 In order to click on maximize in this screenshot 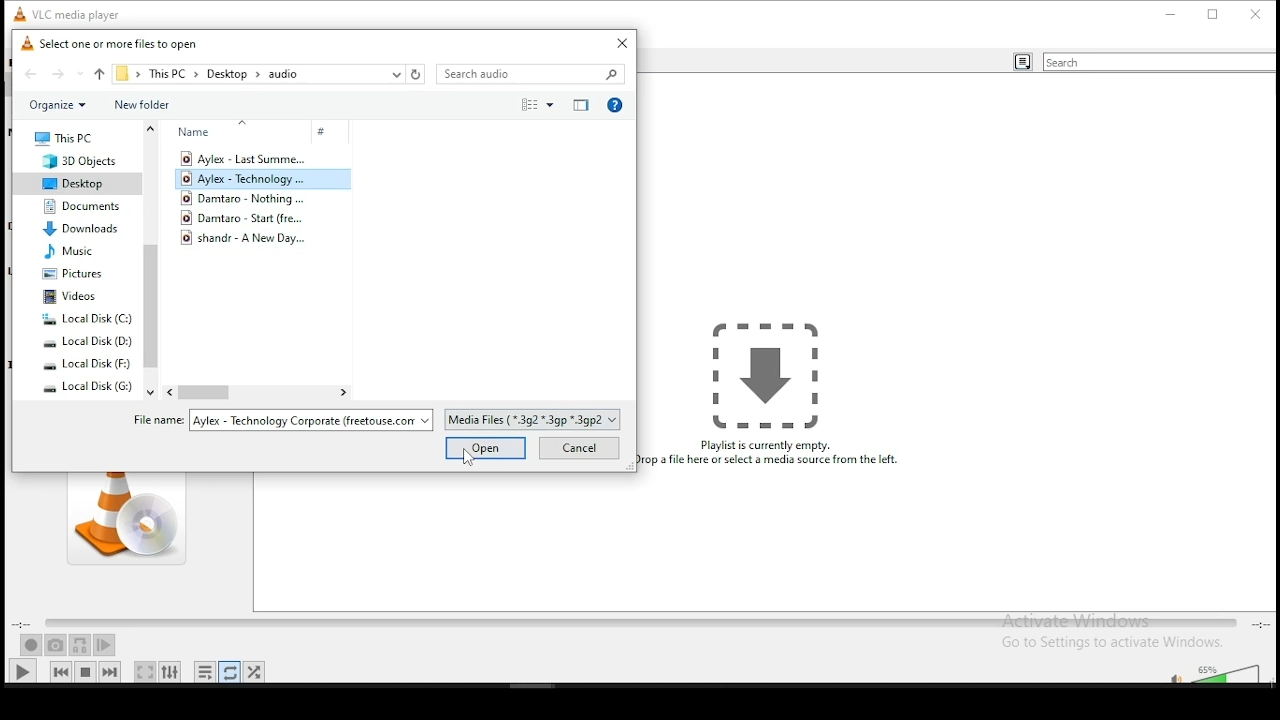, I will do `click(1214, 13)`.